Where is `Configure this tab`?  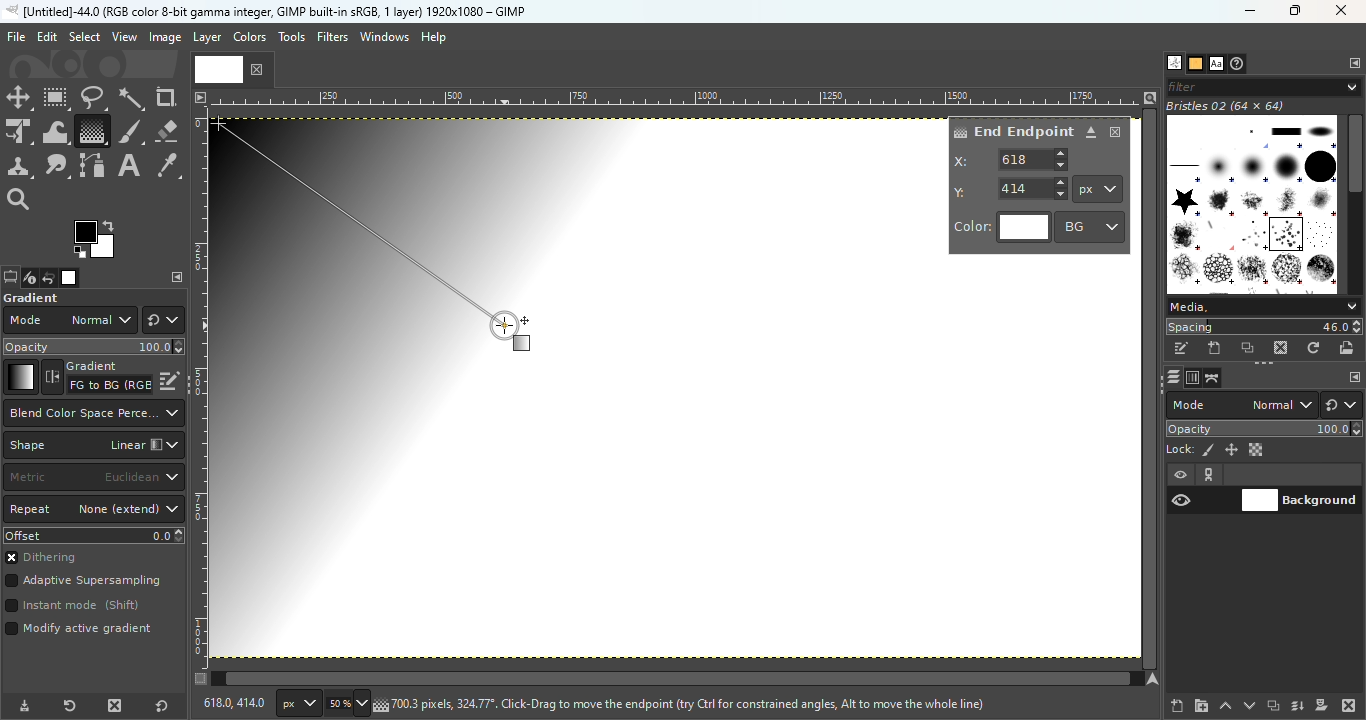
Configure this tab is located at coordinates (177, 277).